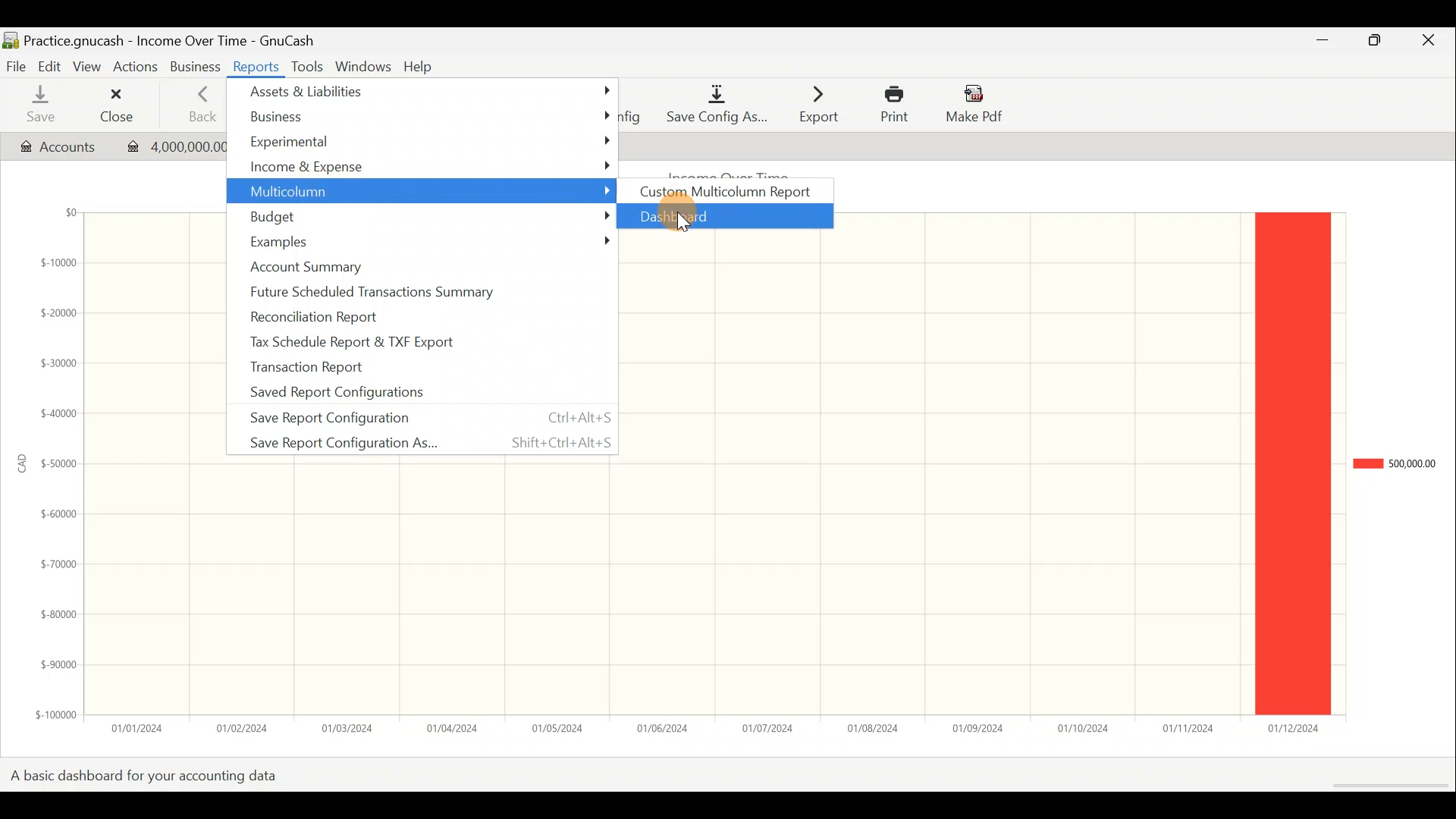  I want to click on Multicolumn, so click(422, 193).